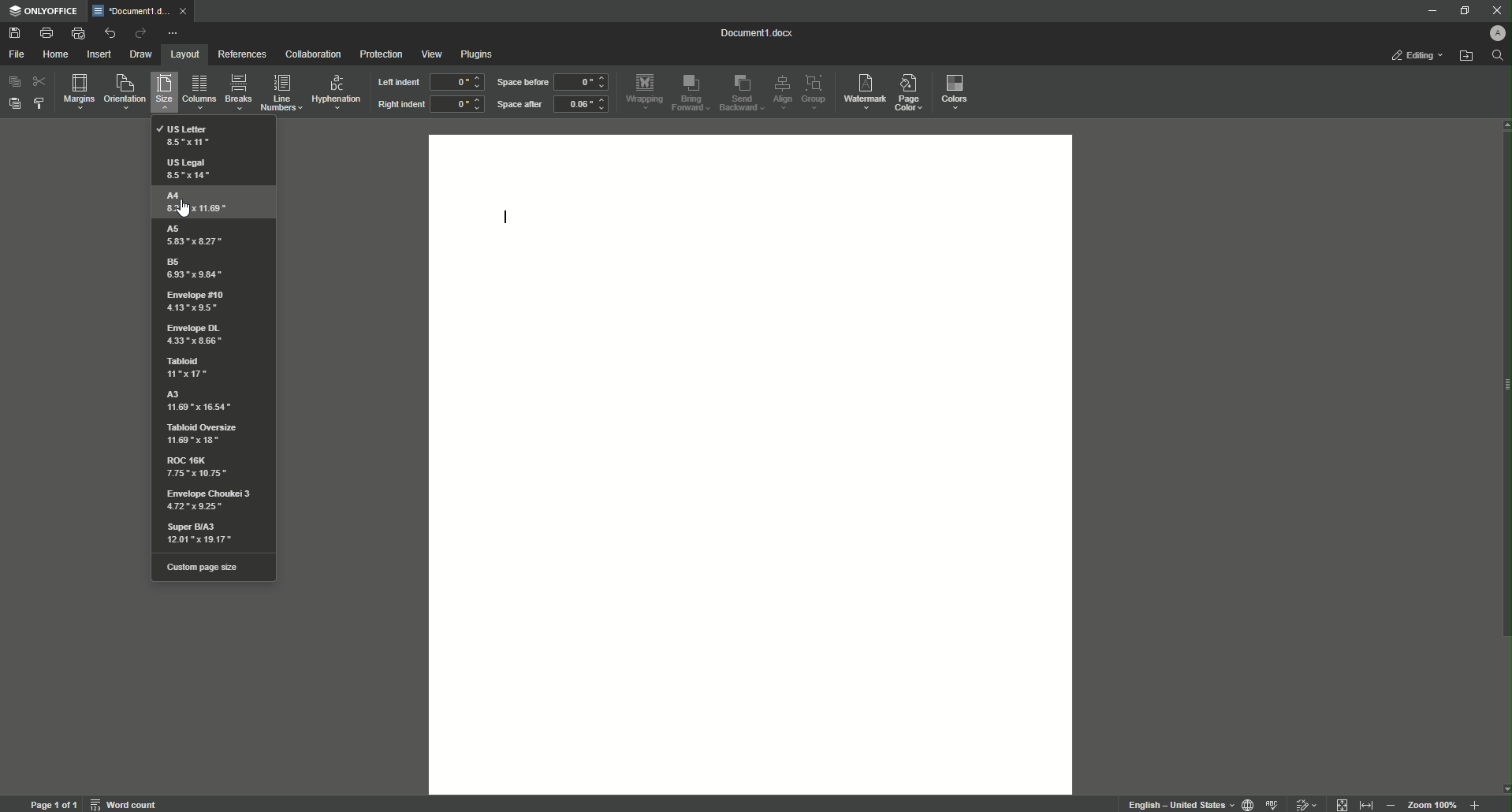  What do you see at coordinates (337, 91) in the screenshot?
I see `Hyphenation` at bounding box center [337, 91].